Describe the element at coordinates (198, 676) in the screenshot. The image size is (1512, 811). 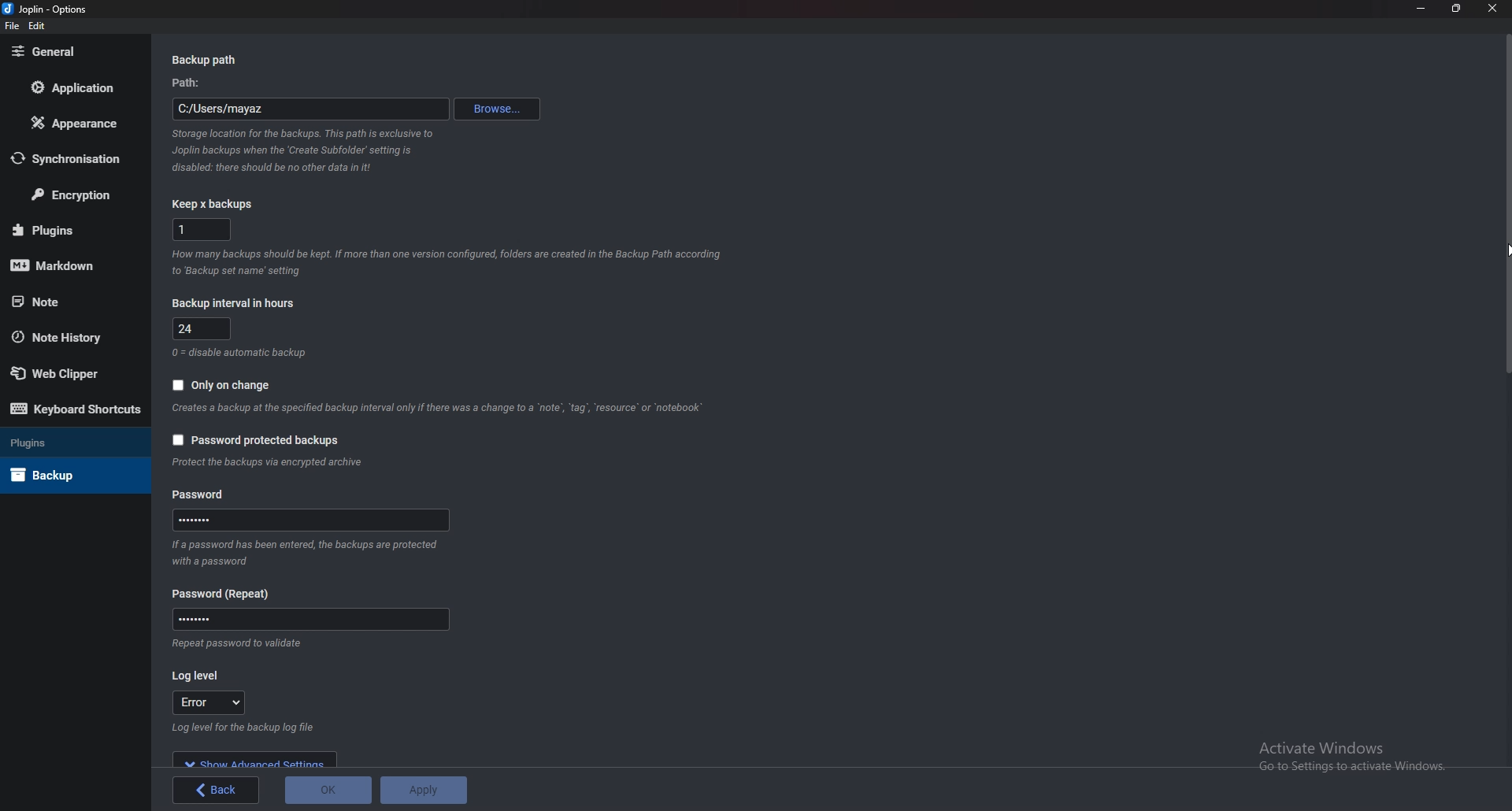
I see `Log level` at that location.